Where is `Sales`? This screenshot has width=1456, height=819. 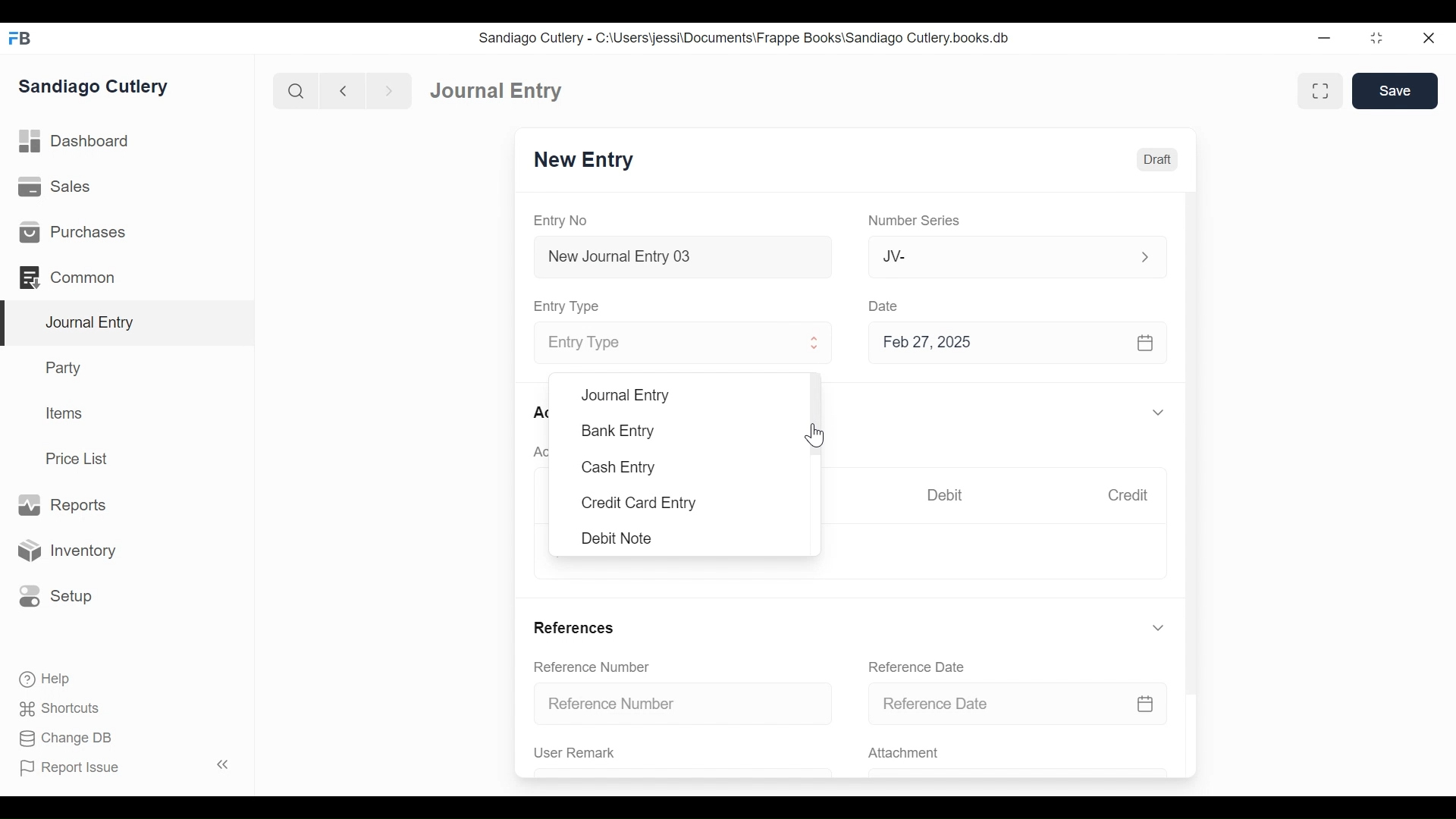 Sales is located at coordinates (55, 186).